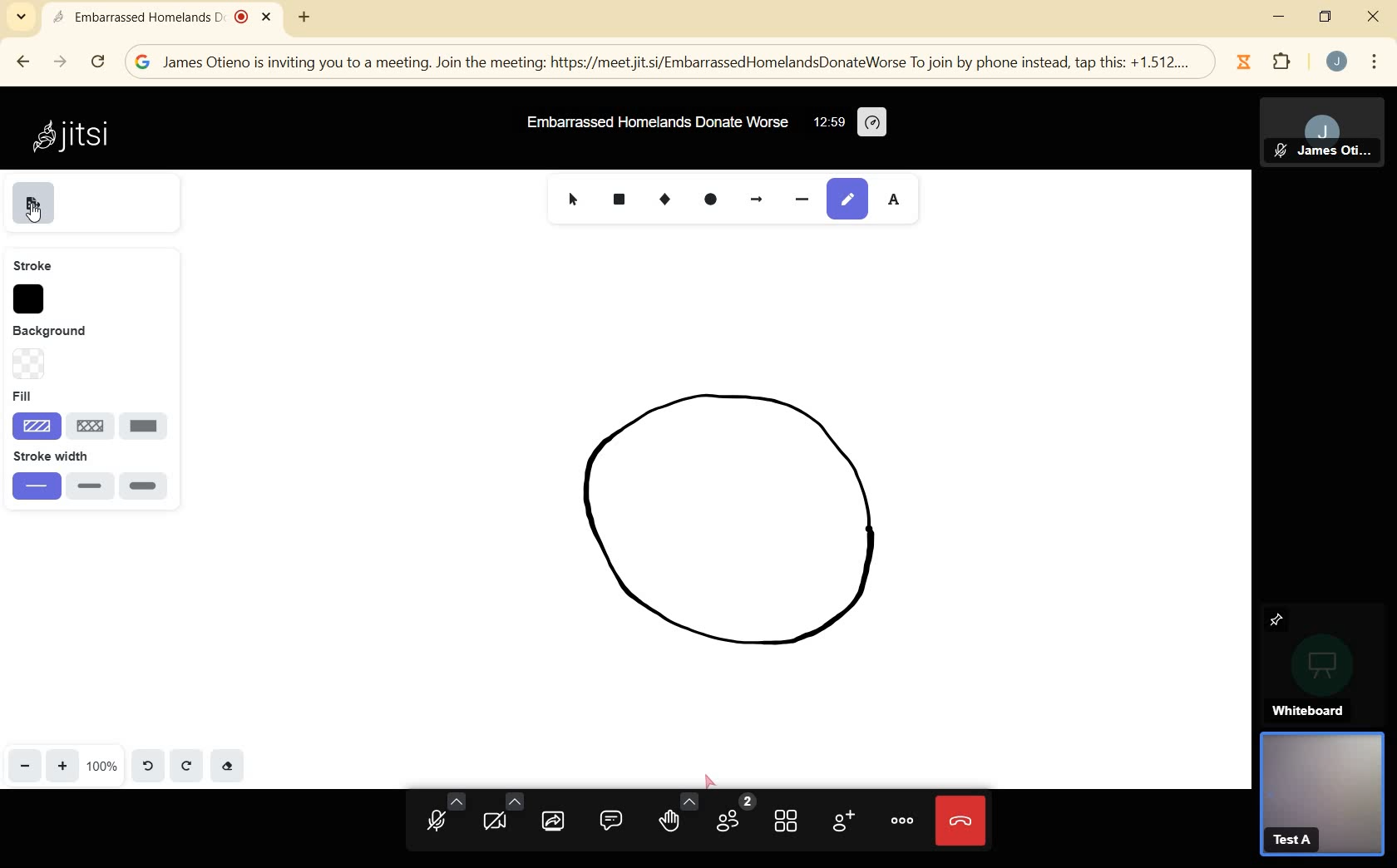 The width and height of the screenshot is (1397, 868). I want to click on zoom factor, so click(103, 768).